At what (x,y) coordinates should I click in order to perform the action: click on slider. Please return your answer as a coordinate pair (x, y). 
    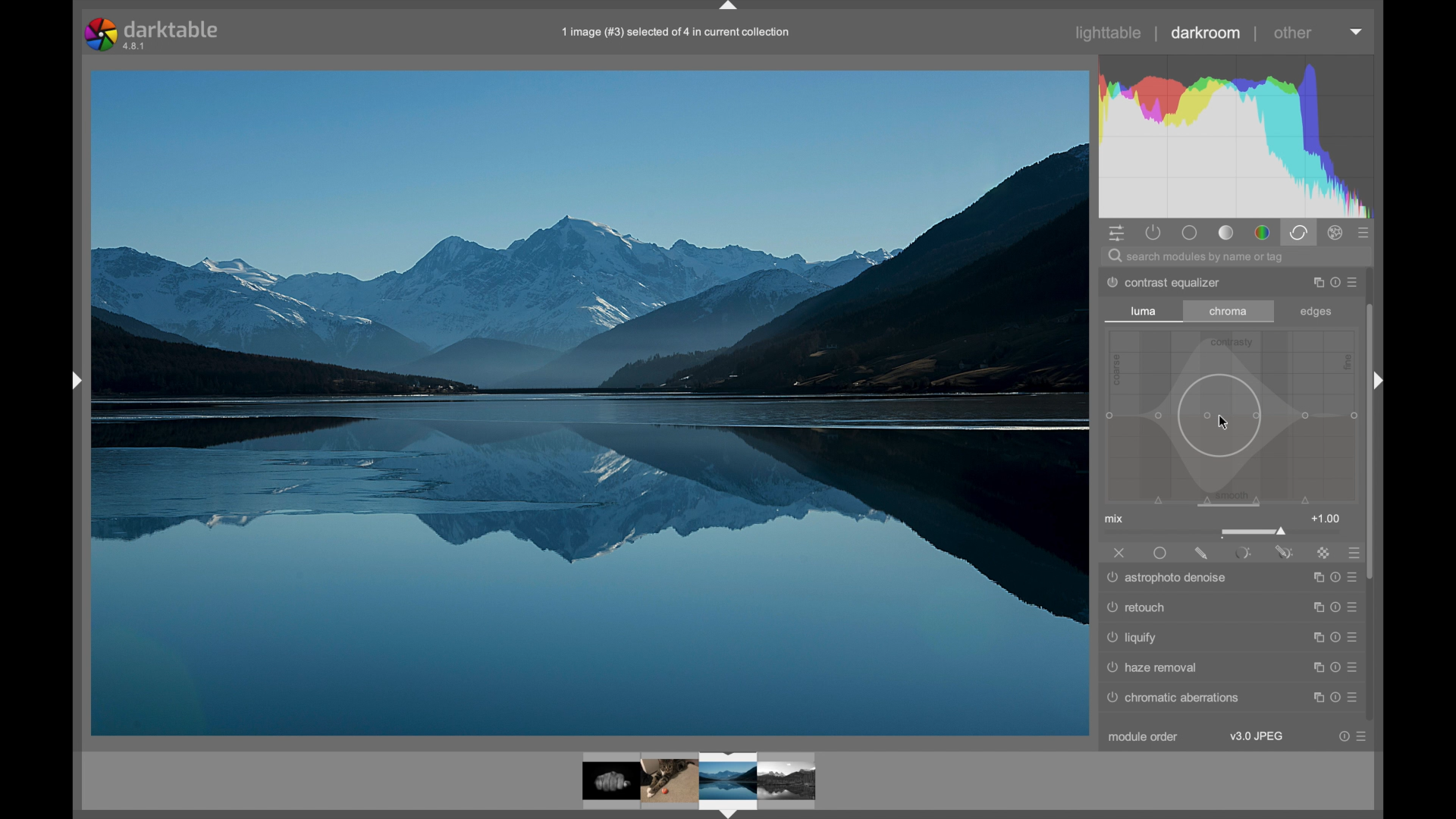
    Looking at the image, I should click on (1252, 531).